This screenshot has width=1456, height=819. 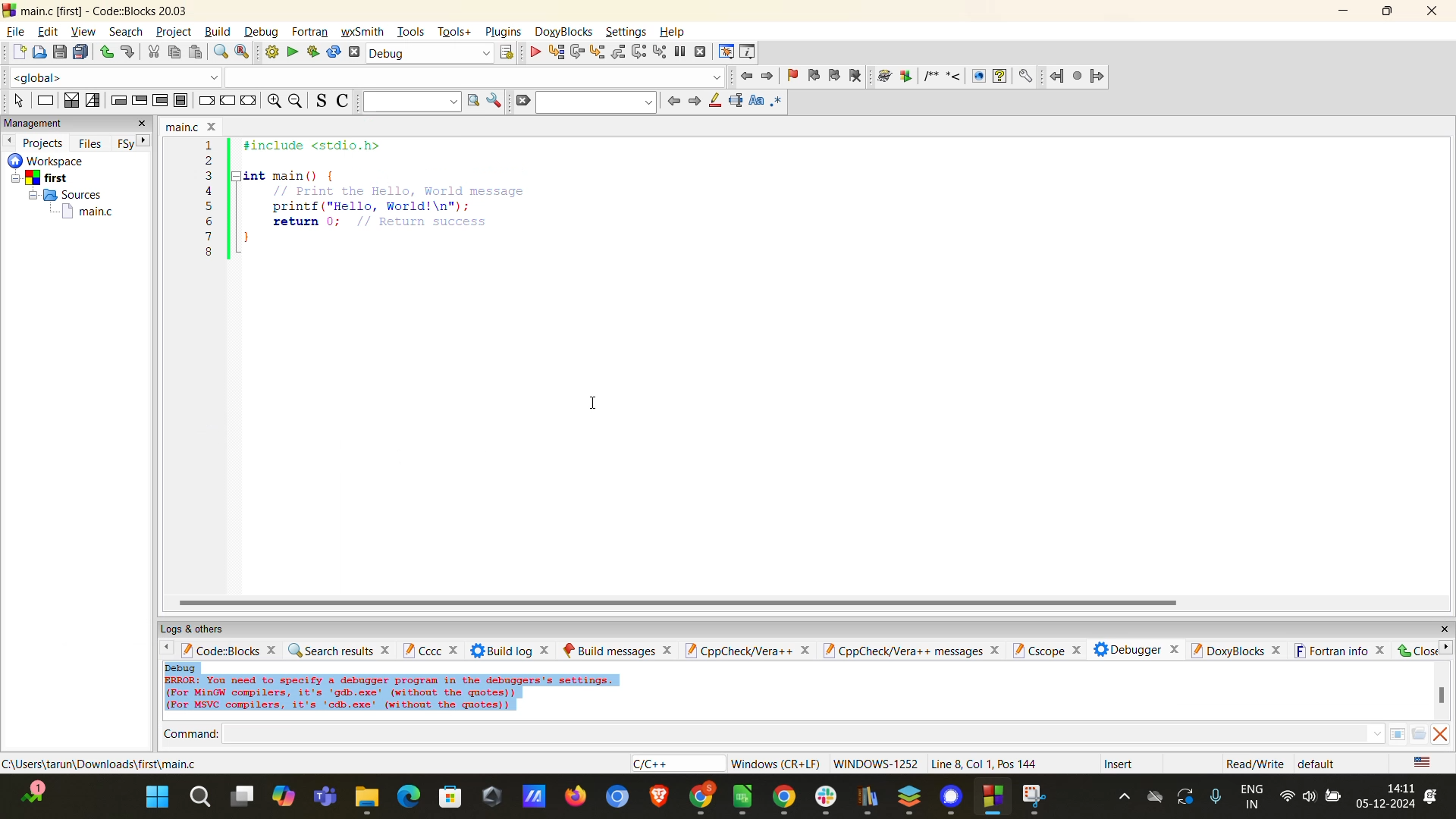 I want to click on find, so click(x=218, y=53).